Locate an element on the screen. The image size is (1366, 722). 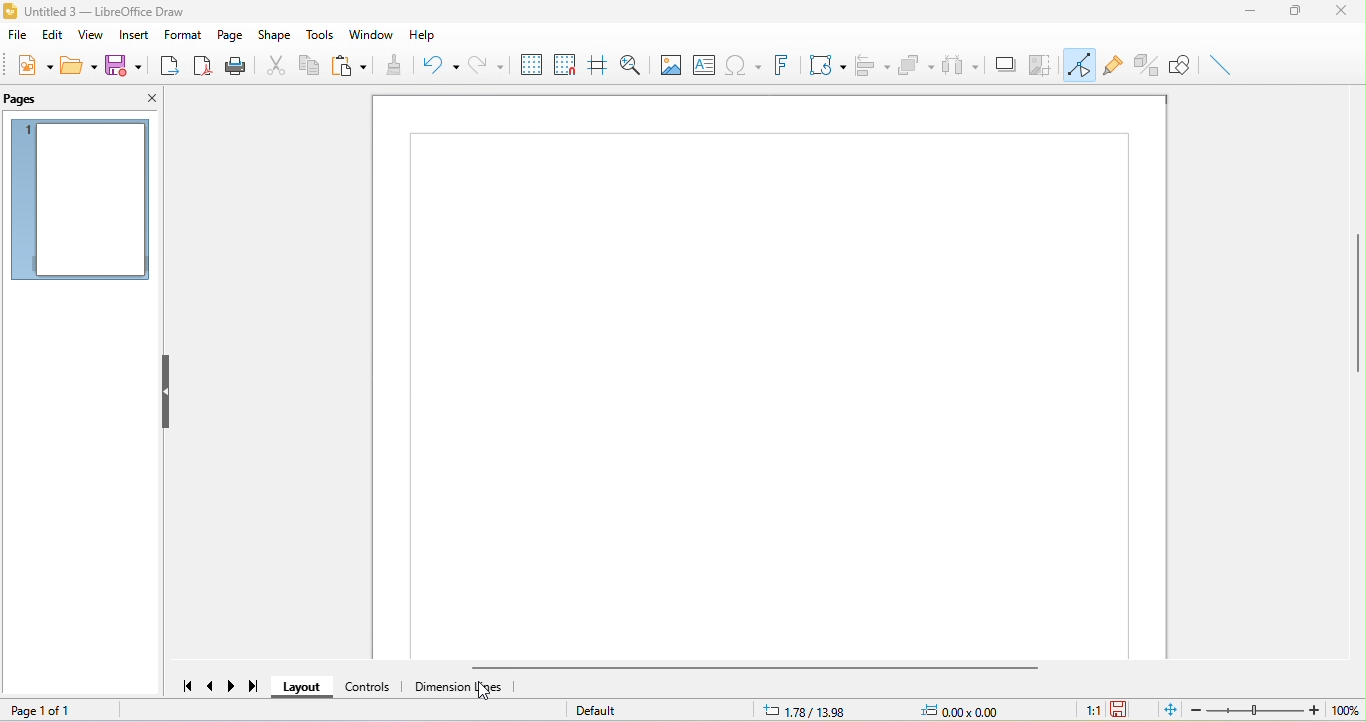
title is located at coordinates (108, 10).